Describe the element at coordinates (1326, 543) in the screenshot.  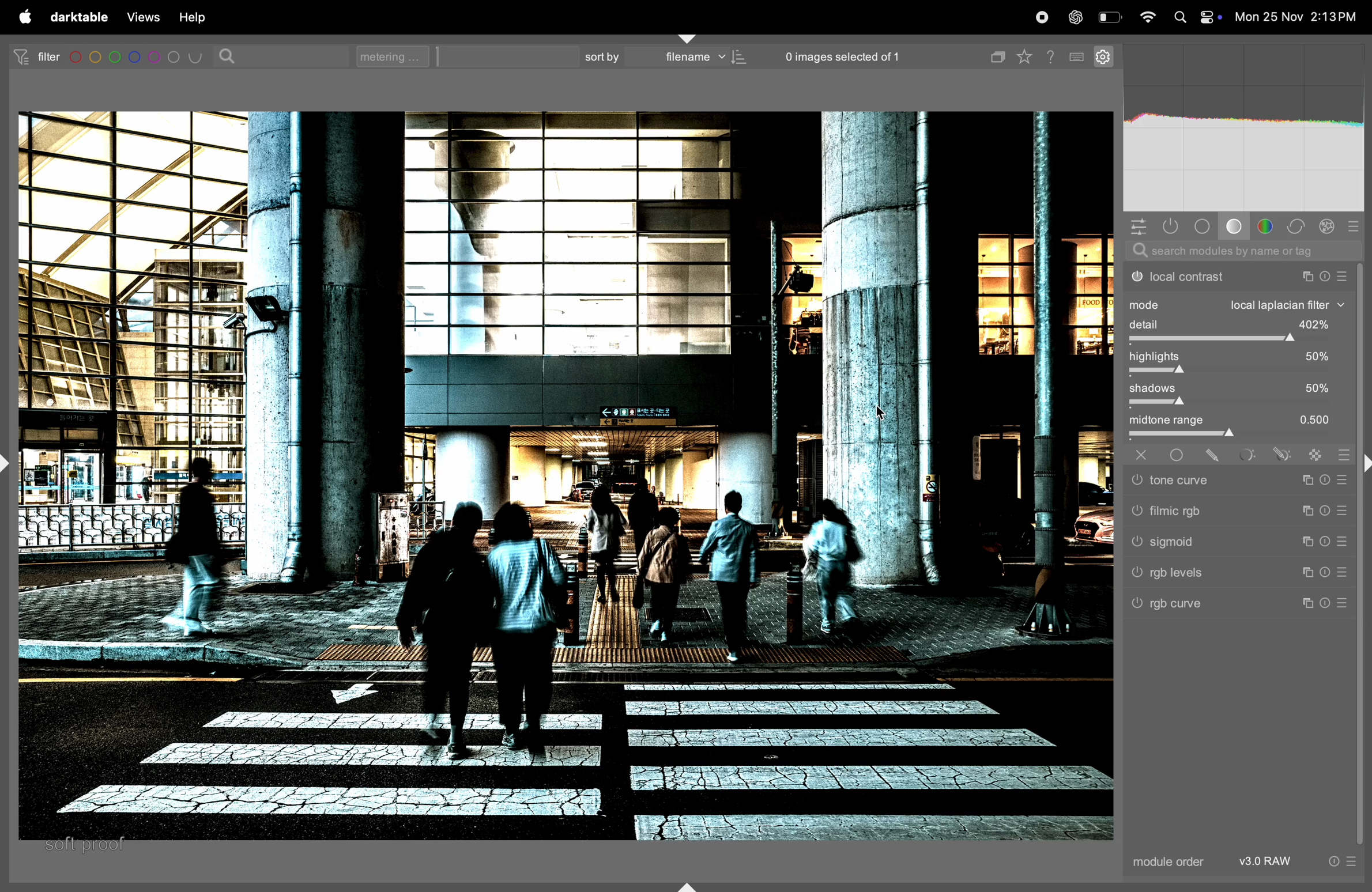
I see `reset` at that location.